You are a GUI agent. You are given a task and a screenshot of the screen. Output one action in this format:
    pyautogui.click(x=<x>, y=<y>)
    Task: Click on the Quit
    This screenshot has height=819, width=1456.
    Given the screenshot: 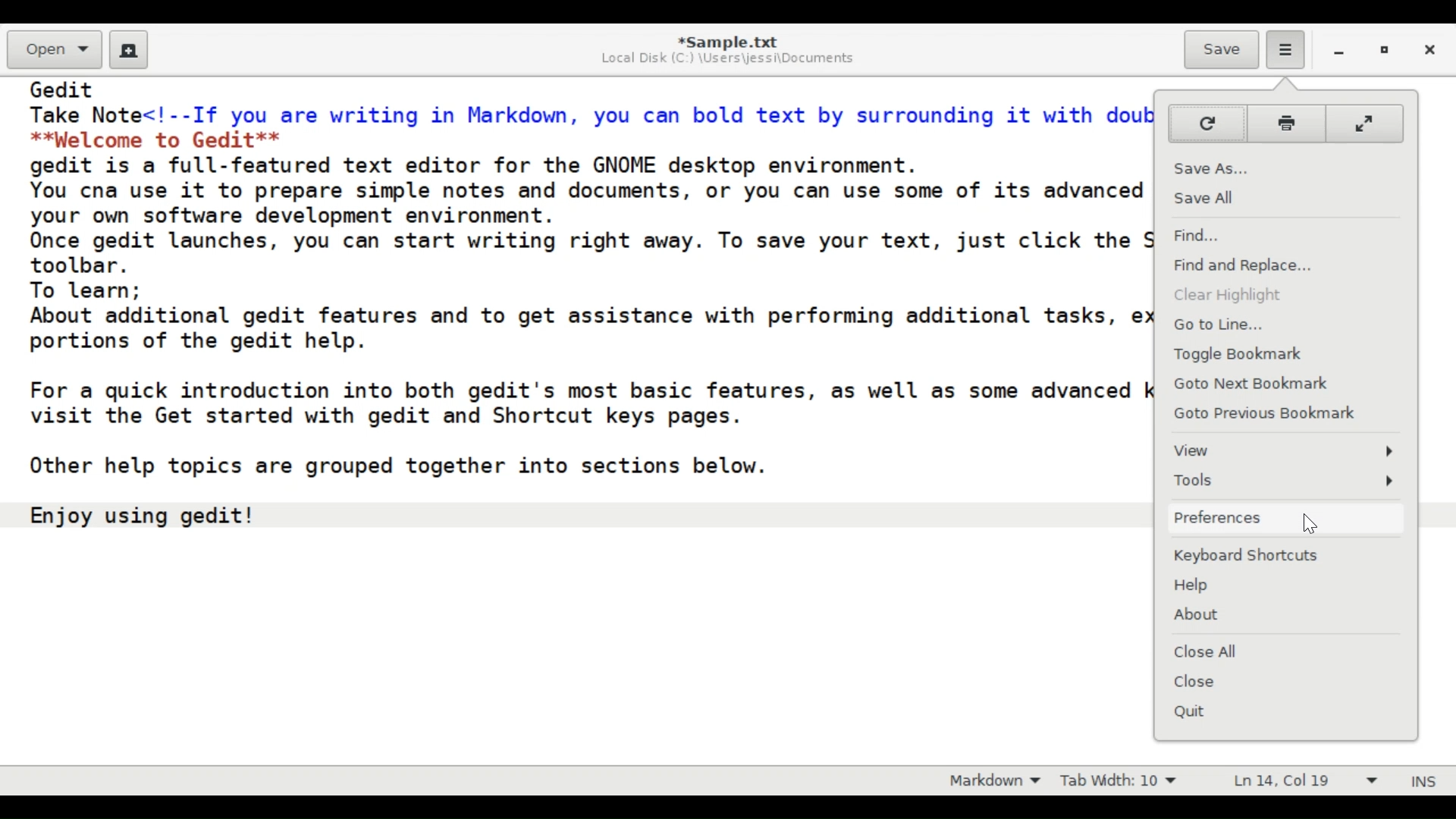 What is the action you would take?
    pyautogui.click(x=1282, y=711)
    